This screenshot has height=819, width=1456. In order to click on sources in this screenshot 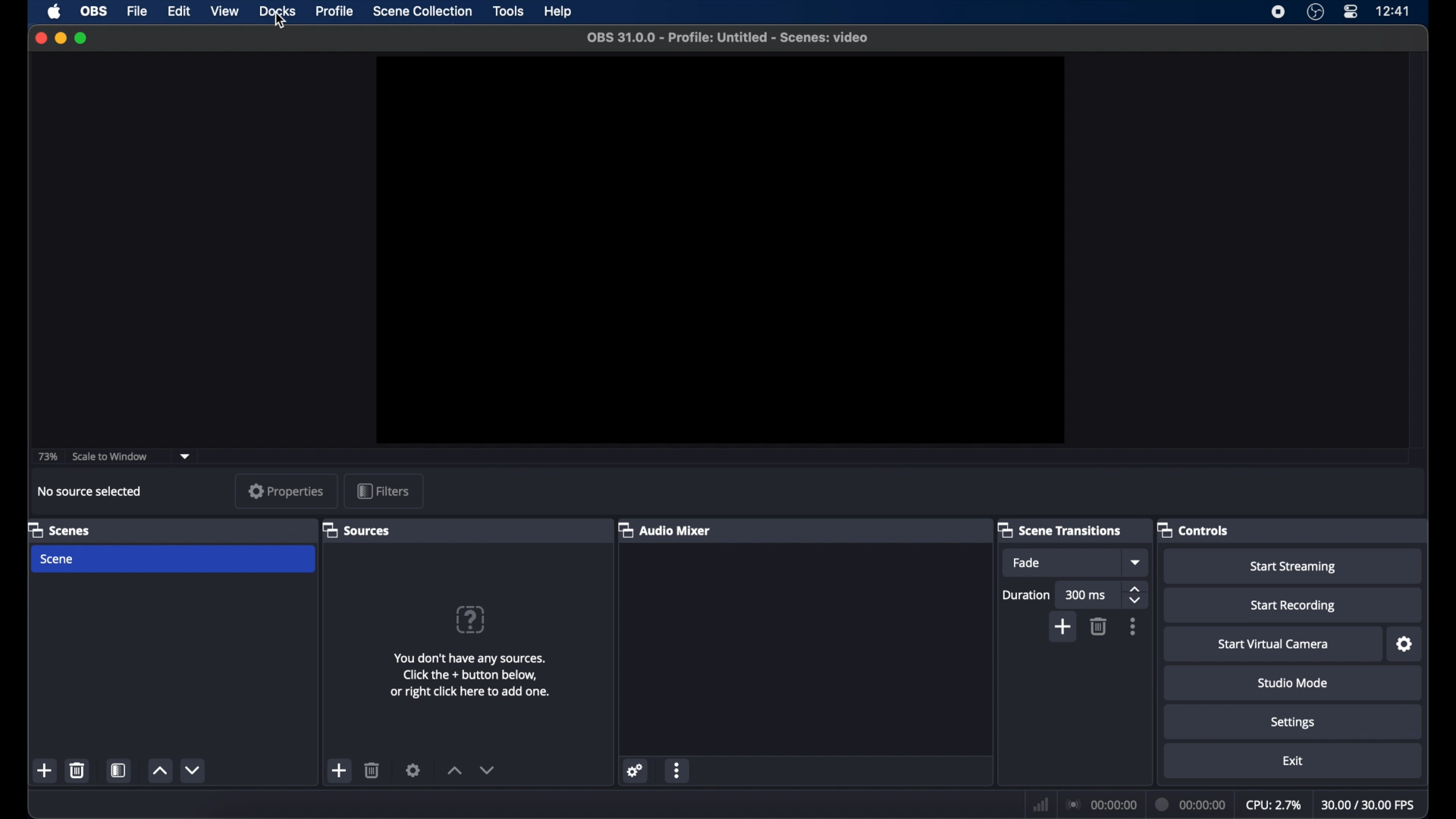, I will do `click(359, 529)`.